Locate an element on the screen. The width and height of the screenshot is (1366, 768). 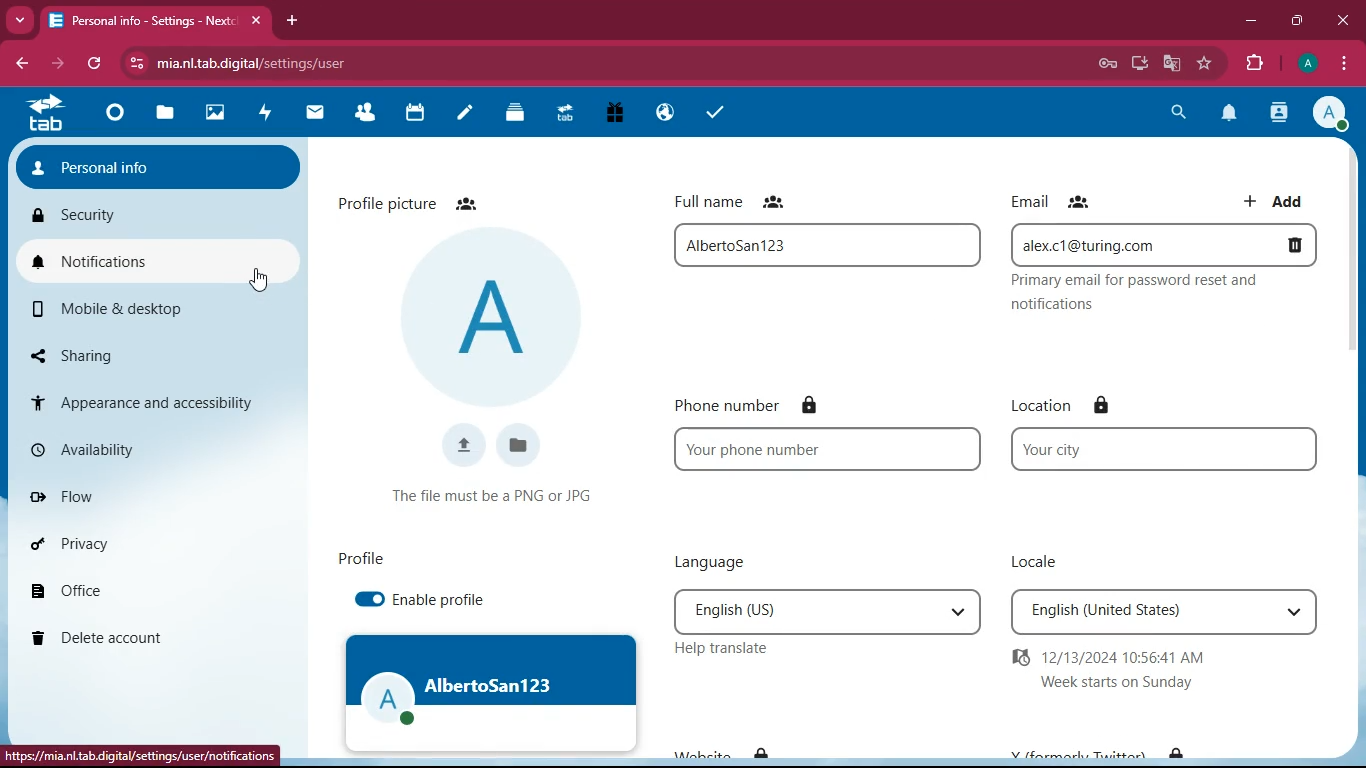
notifications is located at coordinates (1226, 114).